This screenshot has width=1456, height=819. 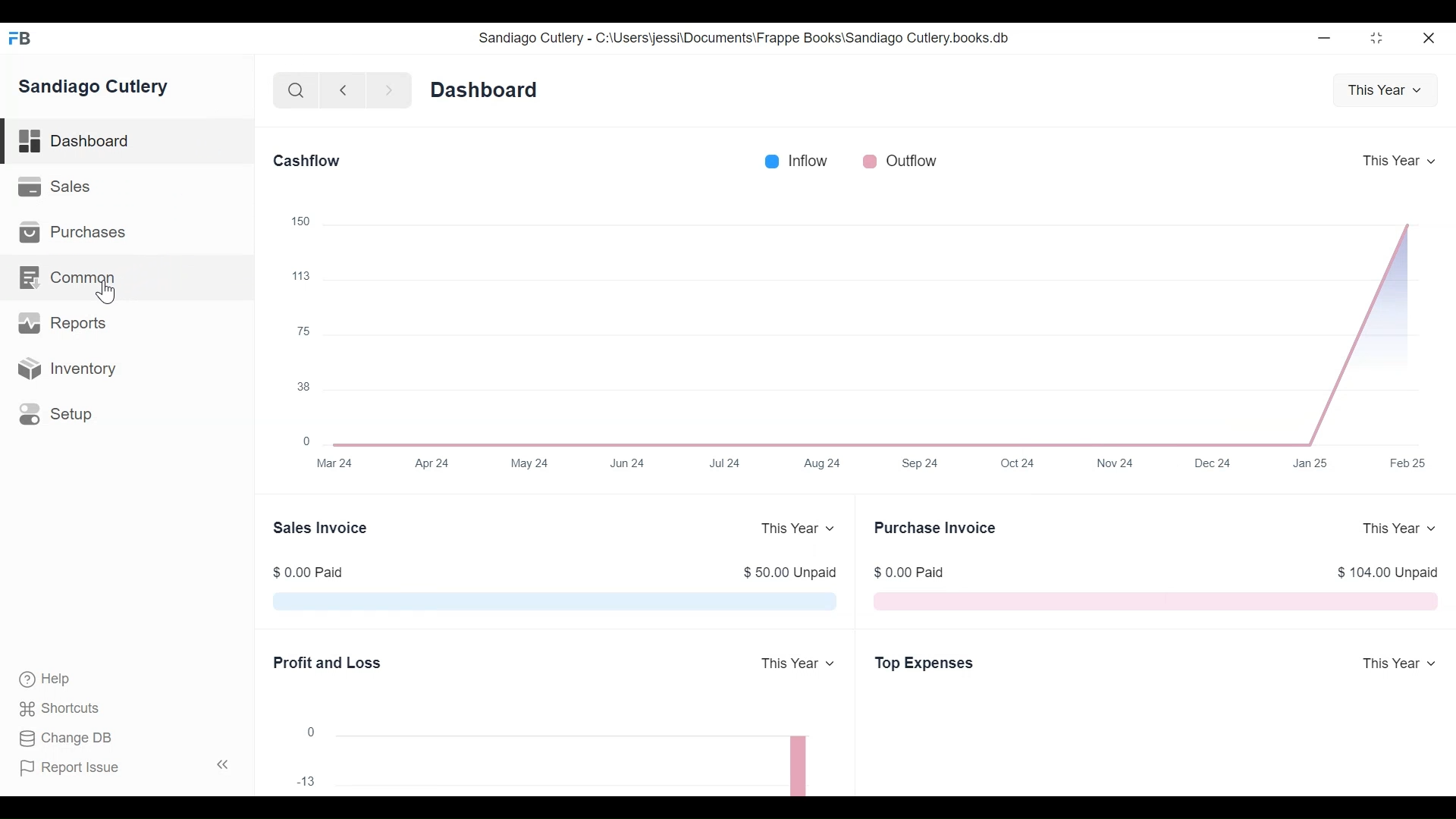 I want to click on This Year, so click(x=797, y=529).